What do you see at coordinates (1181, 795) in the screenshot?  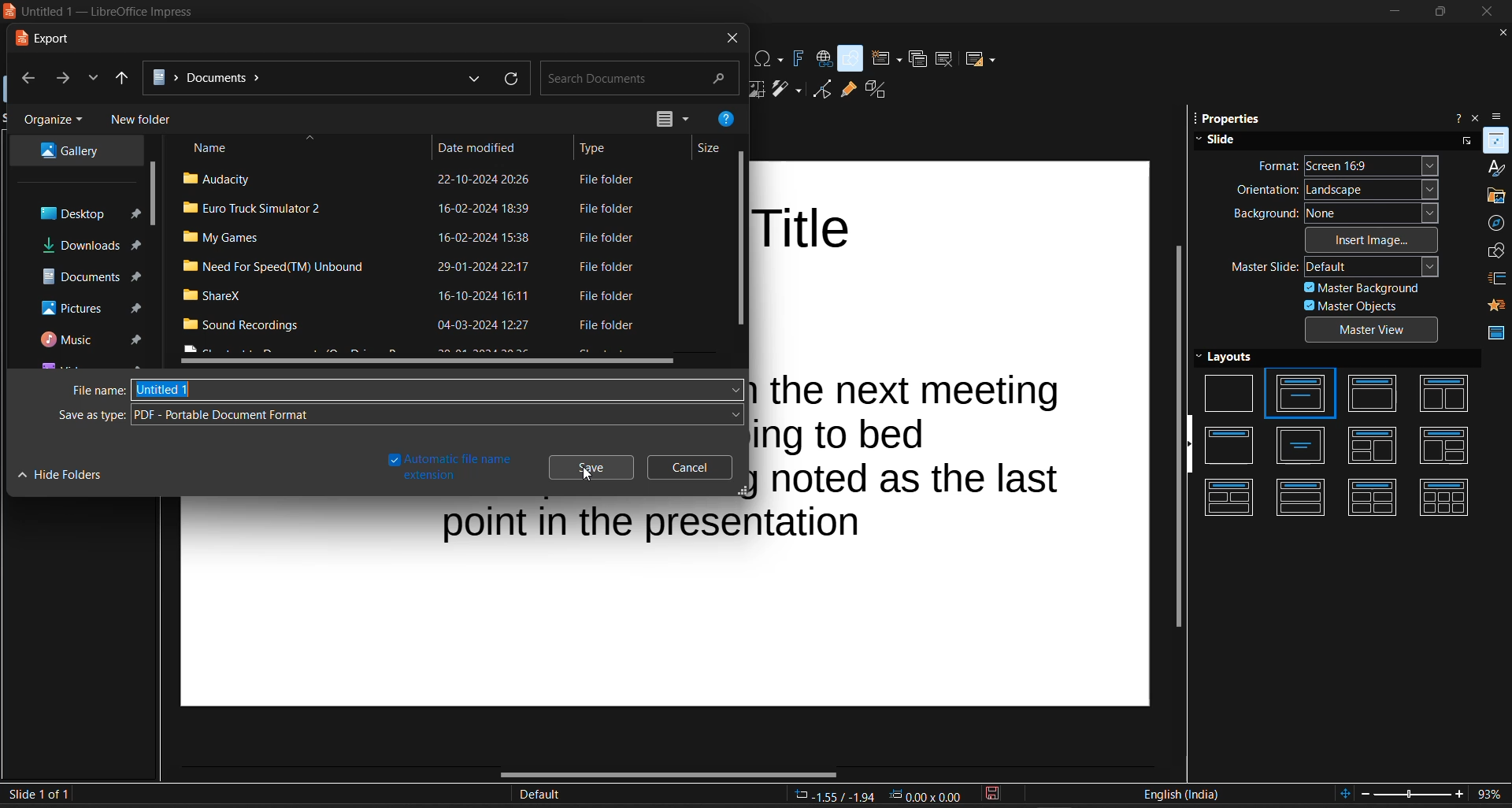 I see `English(India)` at bounding box center [1181, 795].